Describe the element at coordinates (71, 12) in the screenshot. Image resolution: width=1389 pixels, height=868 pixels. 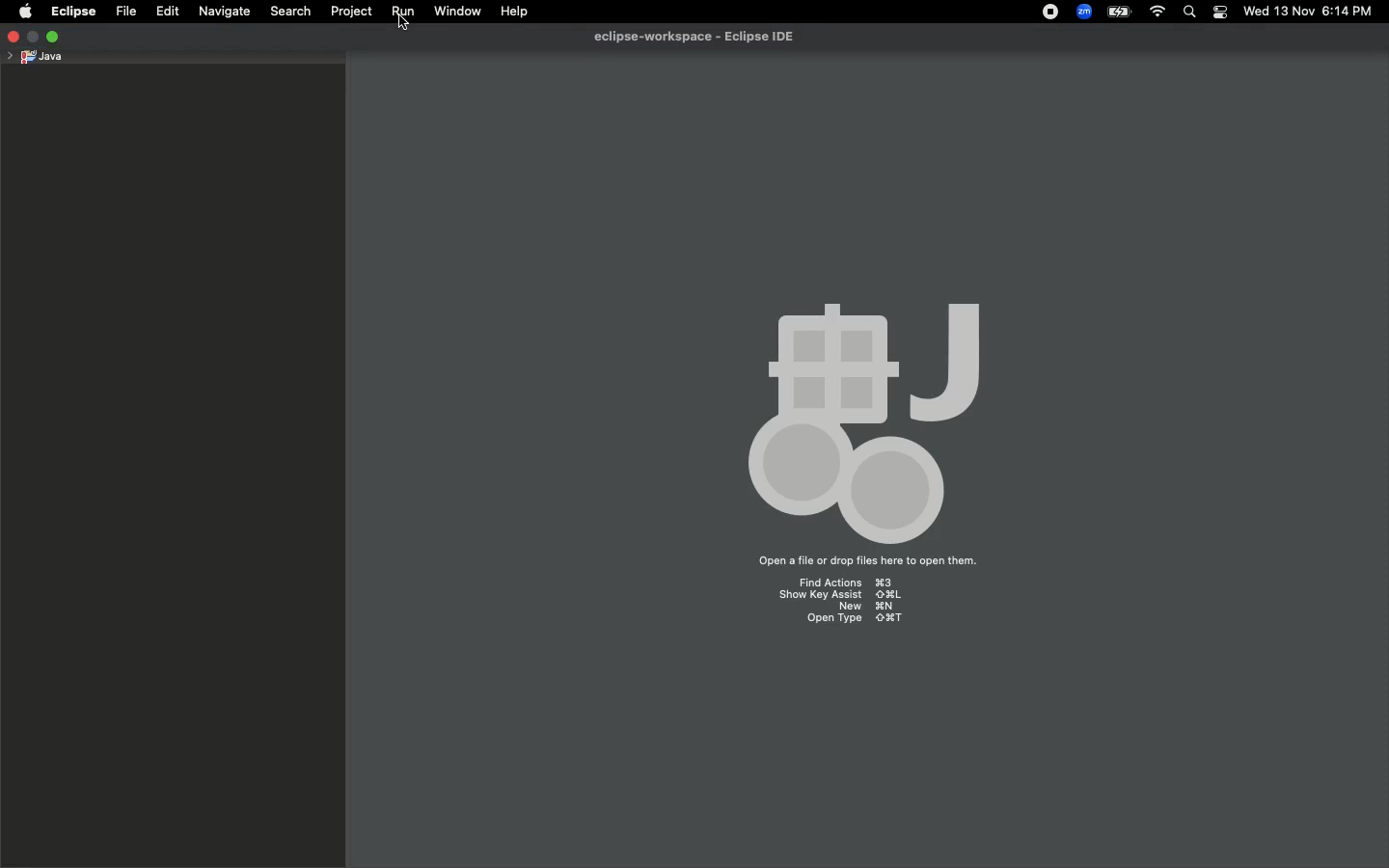
I see `Eclipse` at that location.